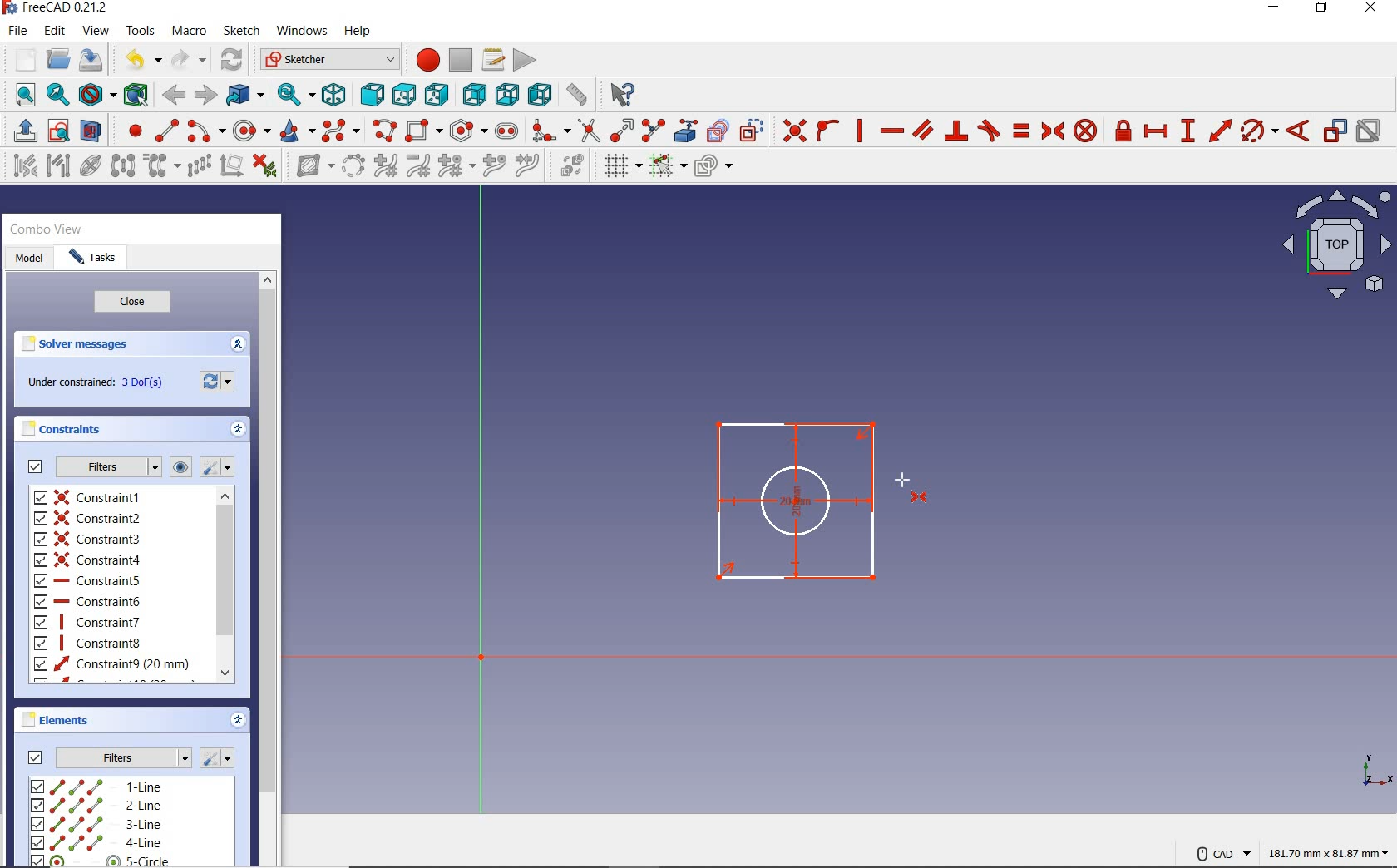 The width and height of the screenshot is (1397, 868). What do you see at coordinates (239, 431) in the screenshot?
I see `expand` at bounding box center [239, 431].